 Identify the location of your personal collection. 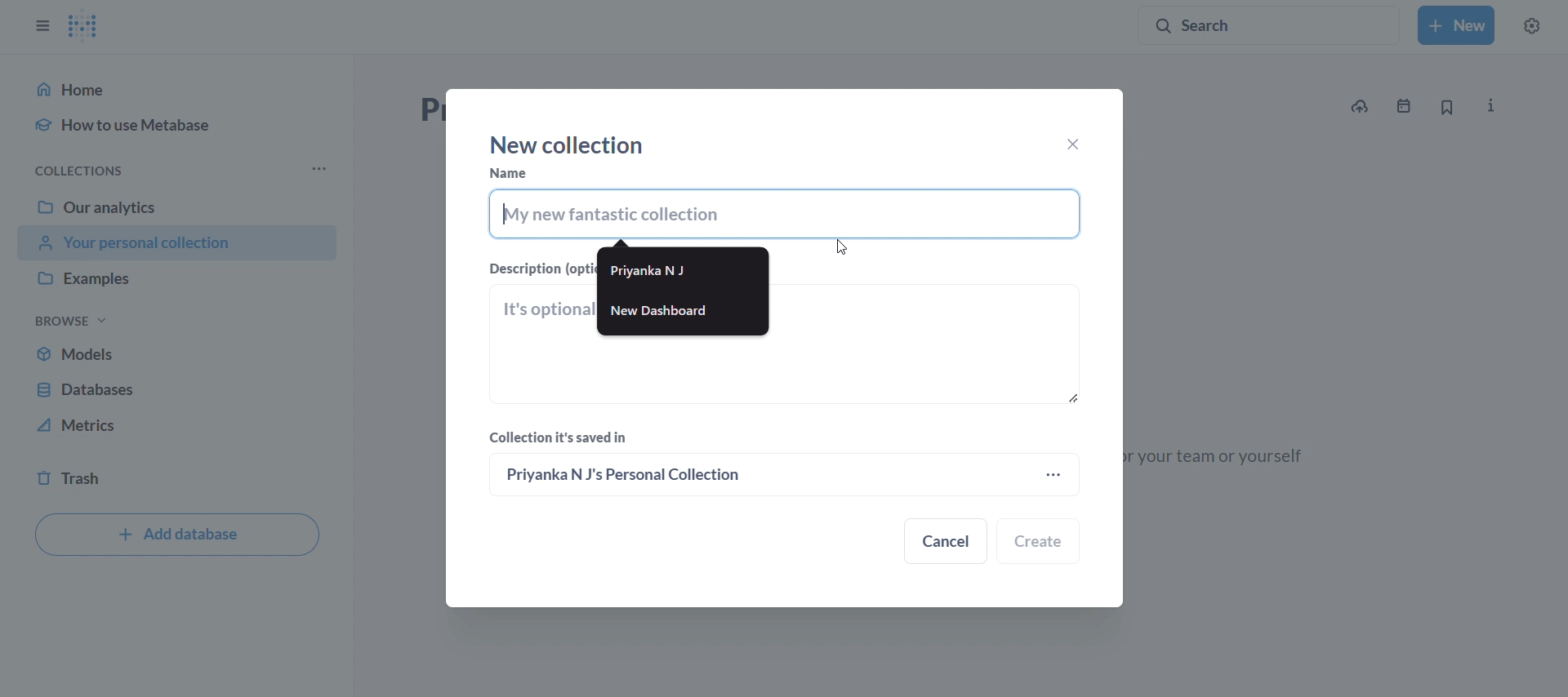
(177, 244).